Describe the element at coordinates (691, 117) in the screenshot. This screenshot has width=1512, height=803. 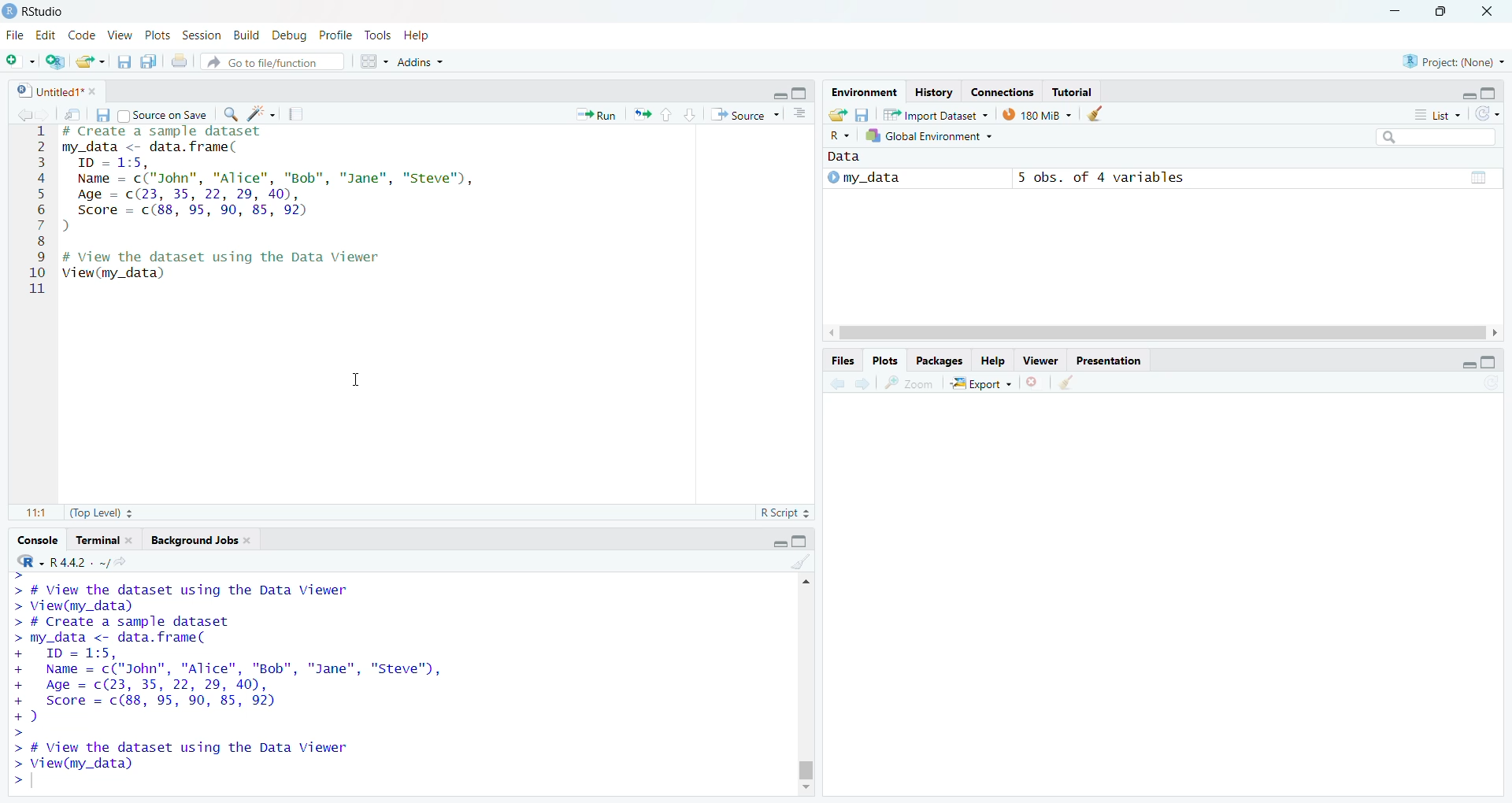
I see `Page down` at that location.